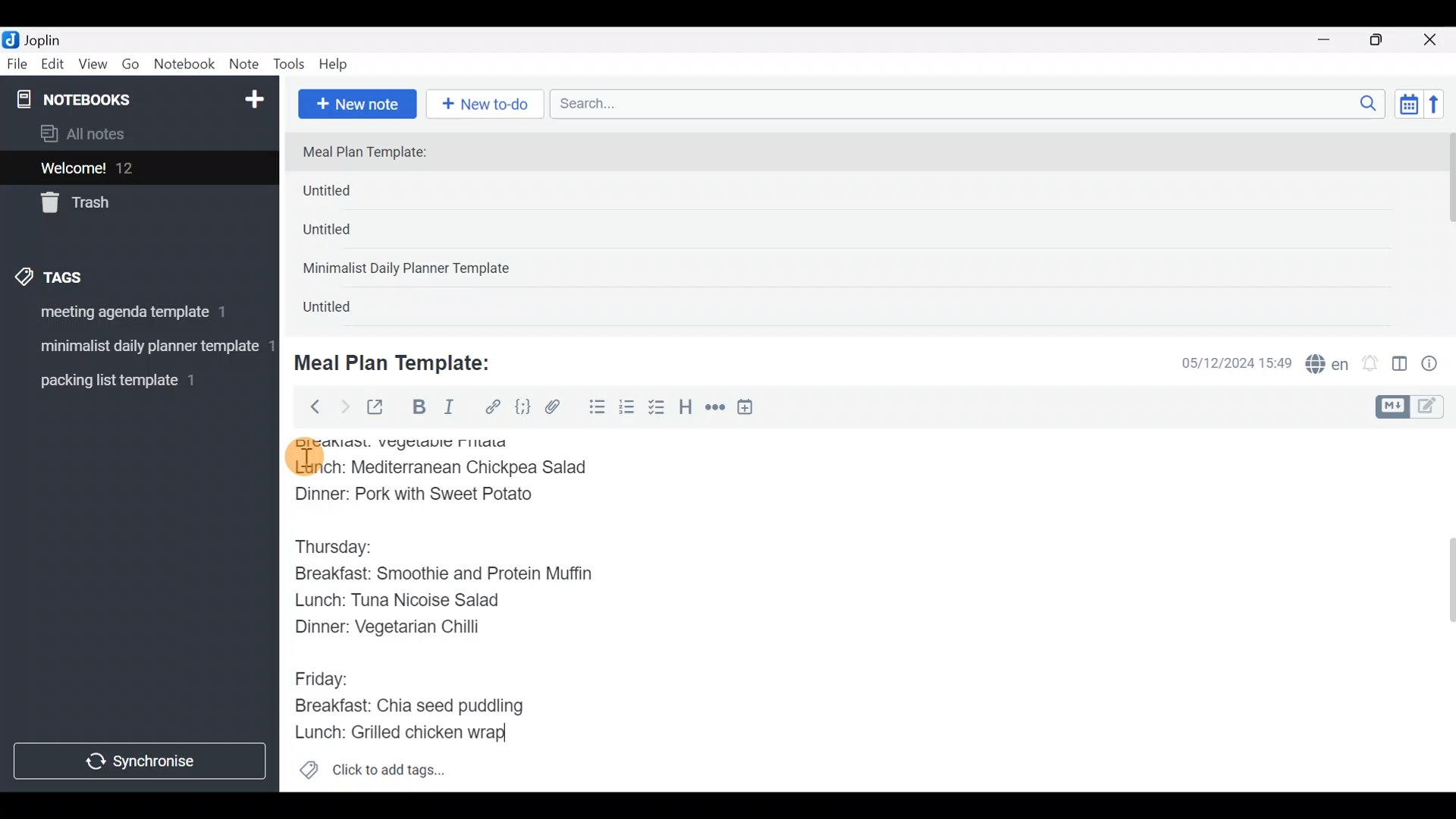  I want to click on Close, so click(1432, 41).